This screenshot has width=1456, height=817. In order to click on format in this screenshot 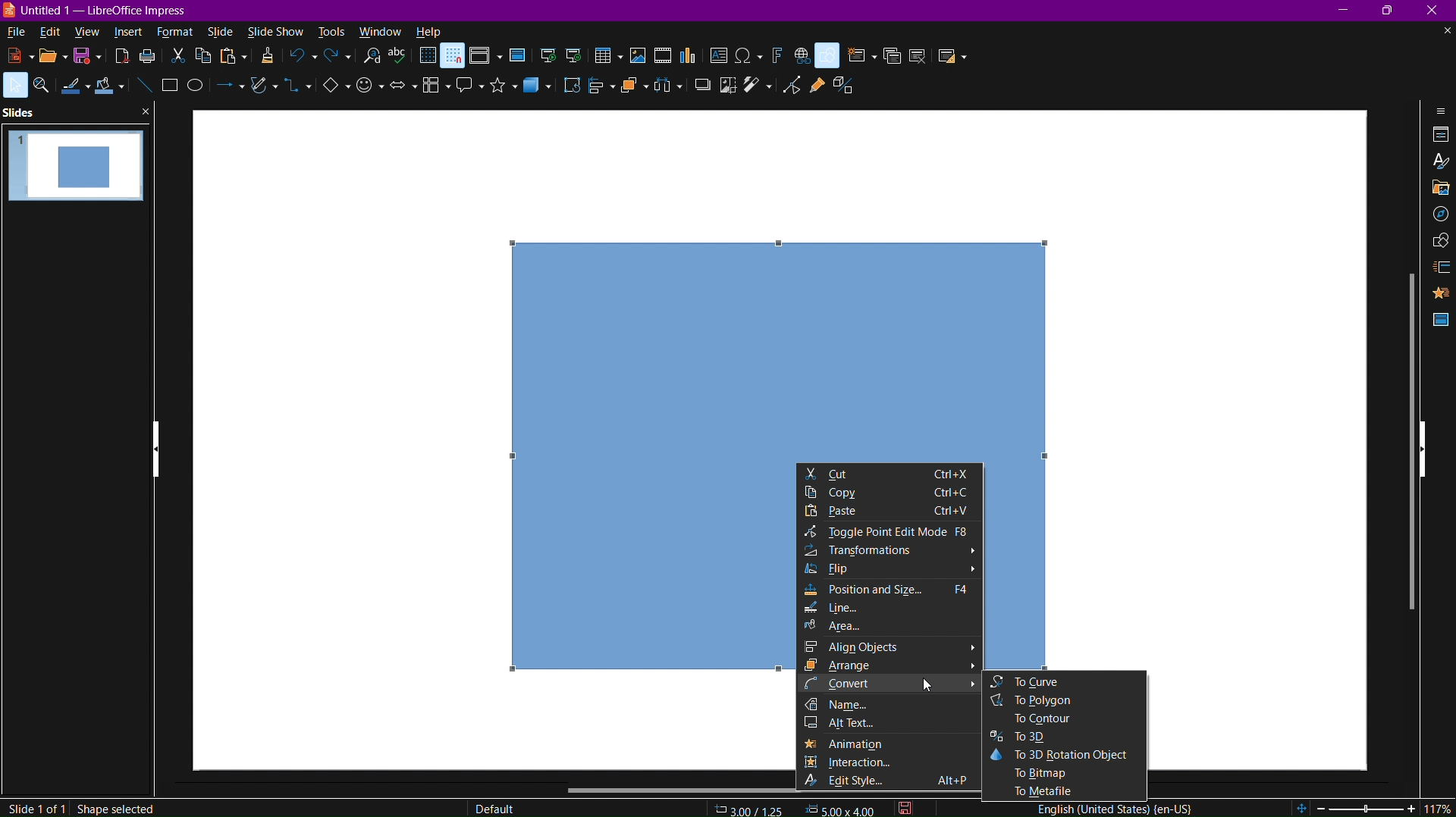, I will do `click(179, 32)`.